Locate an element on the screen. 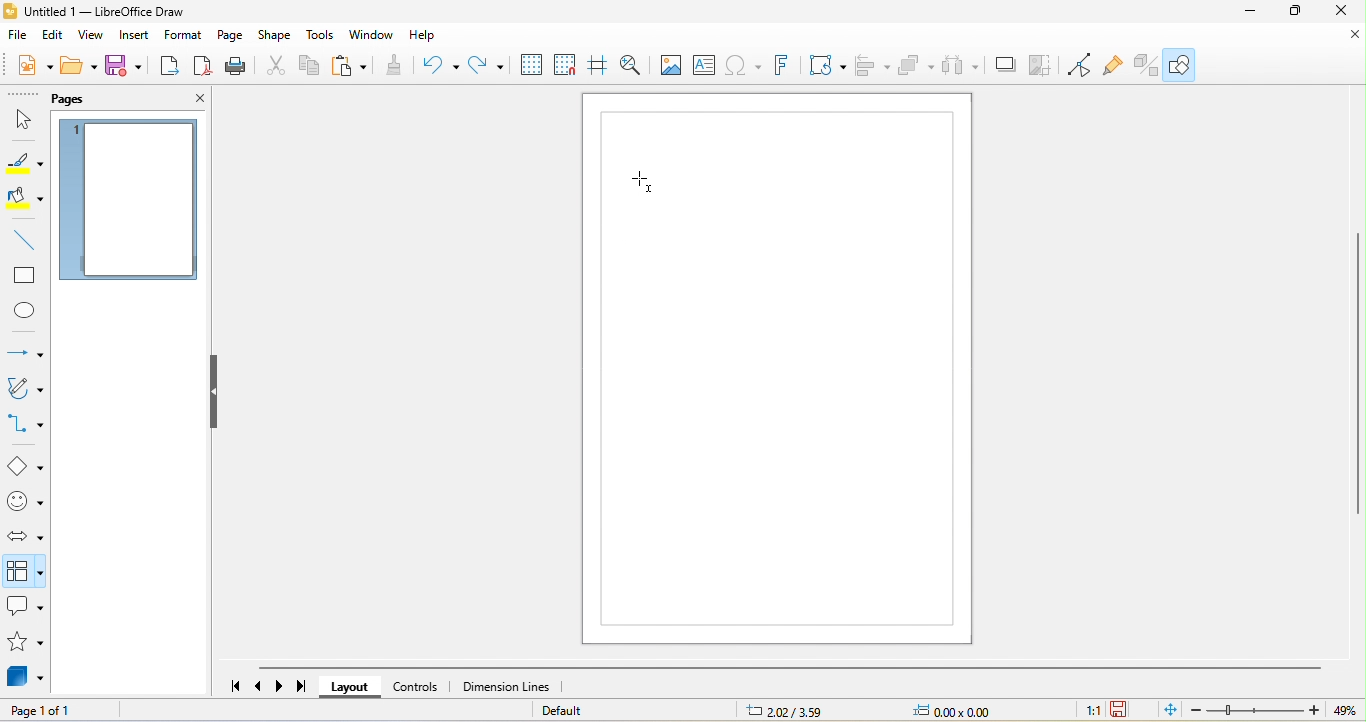  0.00 x0.00 is located at coordinates (954, 711).